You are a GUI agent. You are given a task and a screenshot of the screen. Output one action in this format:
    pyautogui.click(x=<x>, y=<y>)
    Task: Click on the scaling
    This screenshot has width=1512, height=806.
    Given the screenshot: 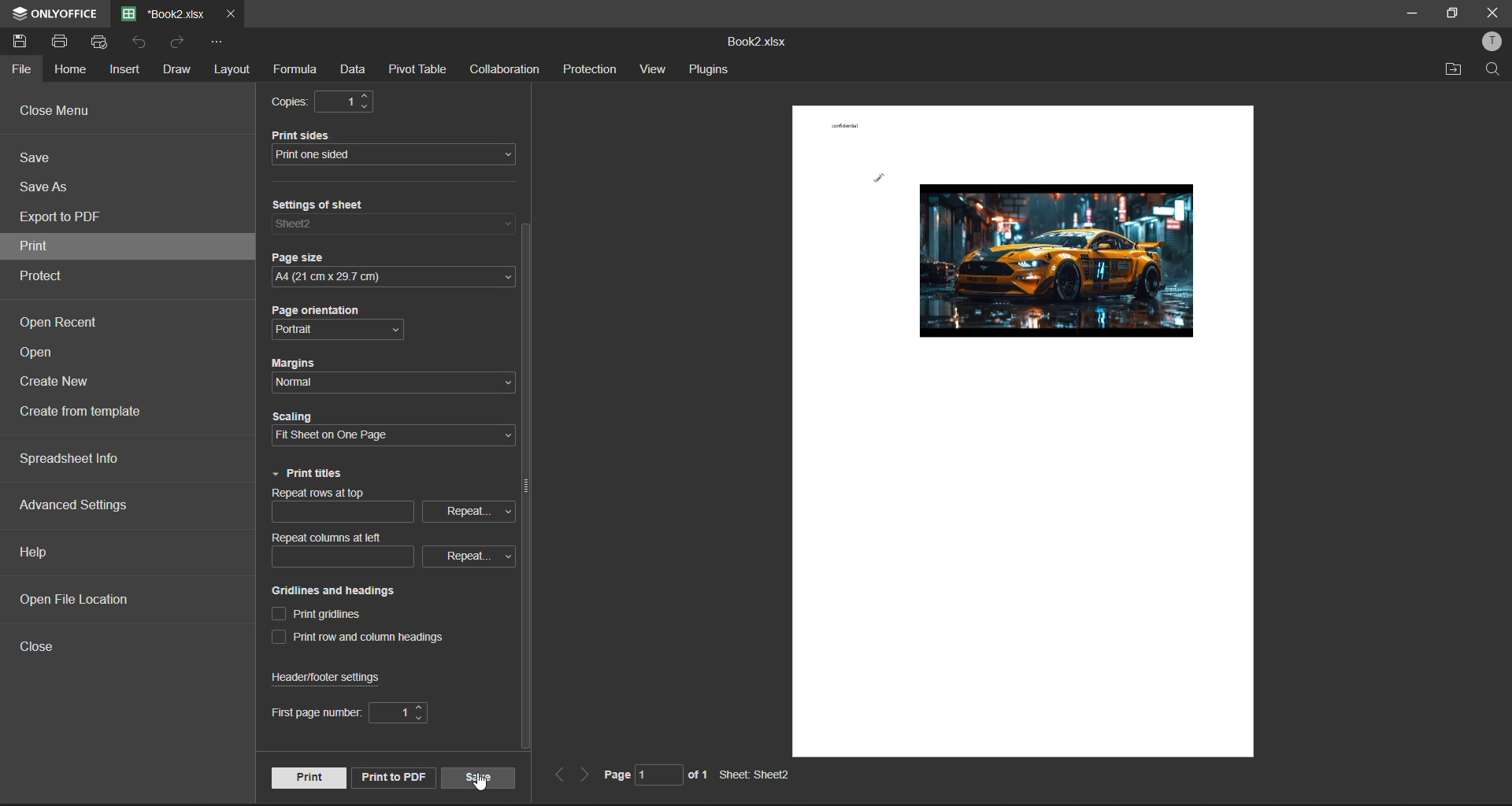 What is the action you would take?
    pyautogui.click(x=384, y=430)
    